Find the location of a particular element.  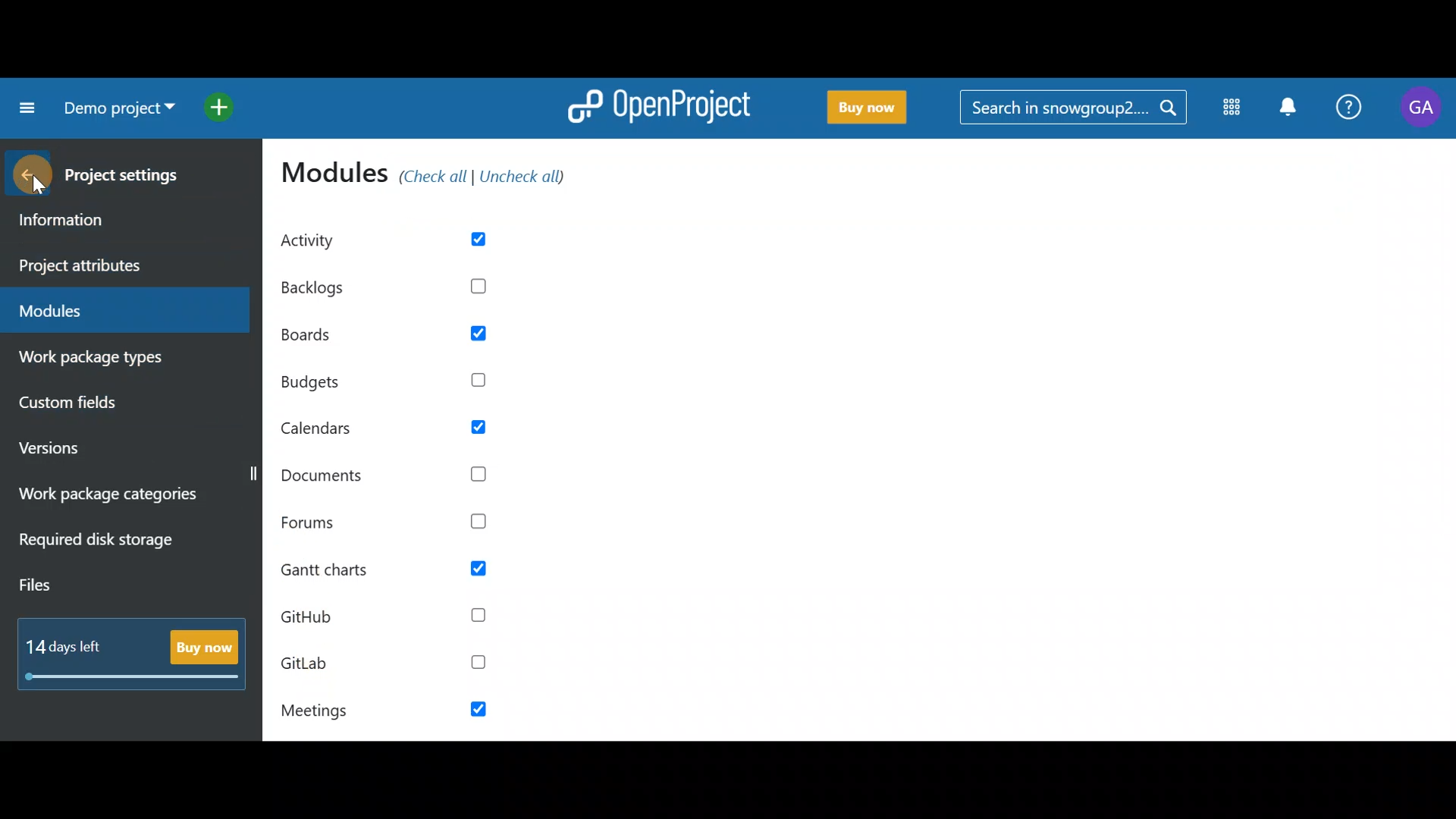

Project name is located at coordinates (115, 108).